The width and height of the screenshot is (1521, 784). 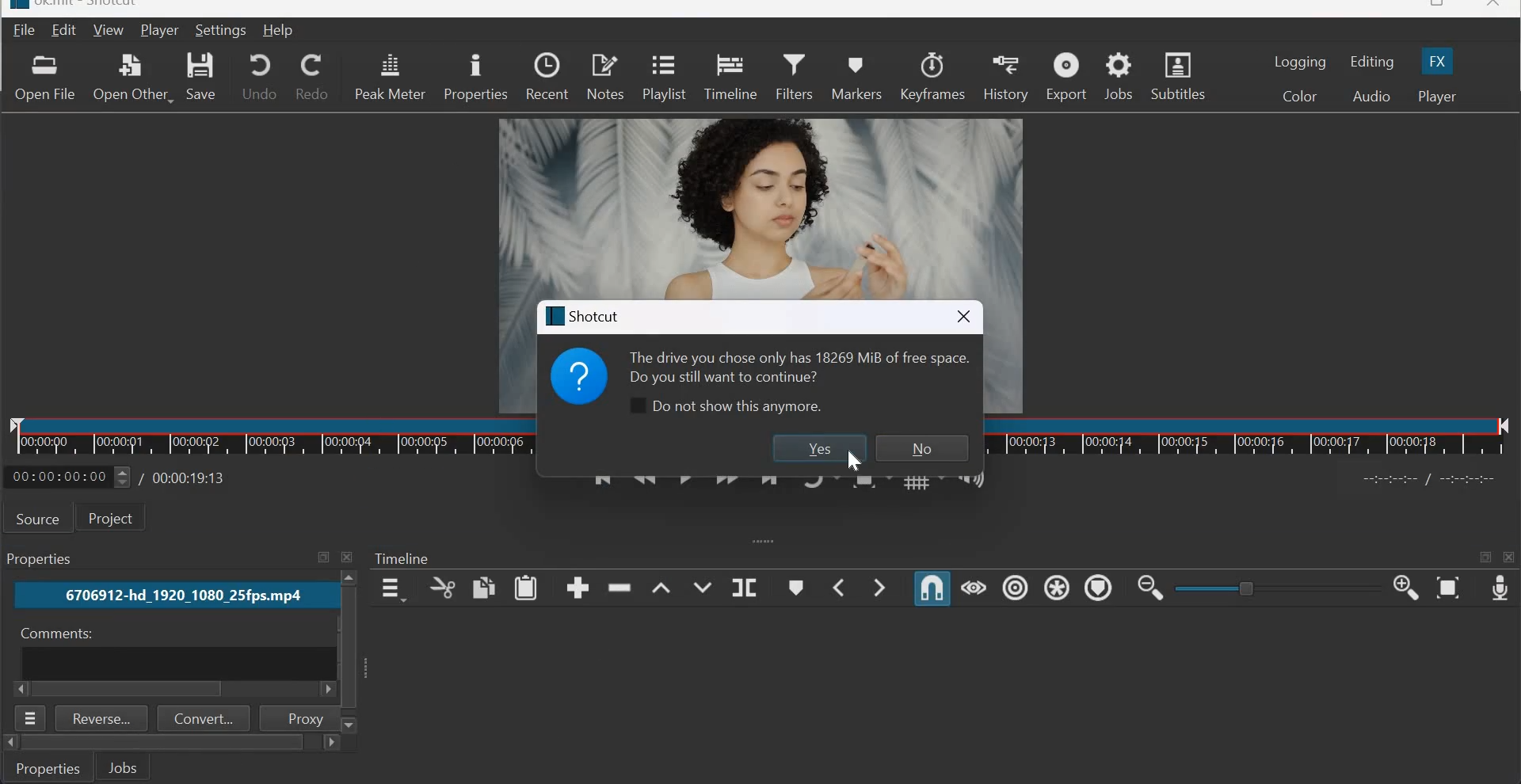 What do you see at coordinates (963, 315) in the screenshot?
I see `close` at bounding box center [963, 315].